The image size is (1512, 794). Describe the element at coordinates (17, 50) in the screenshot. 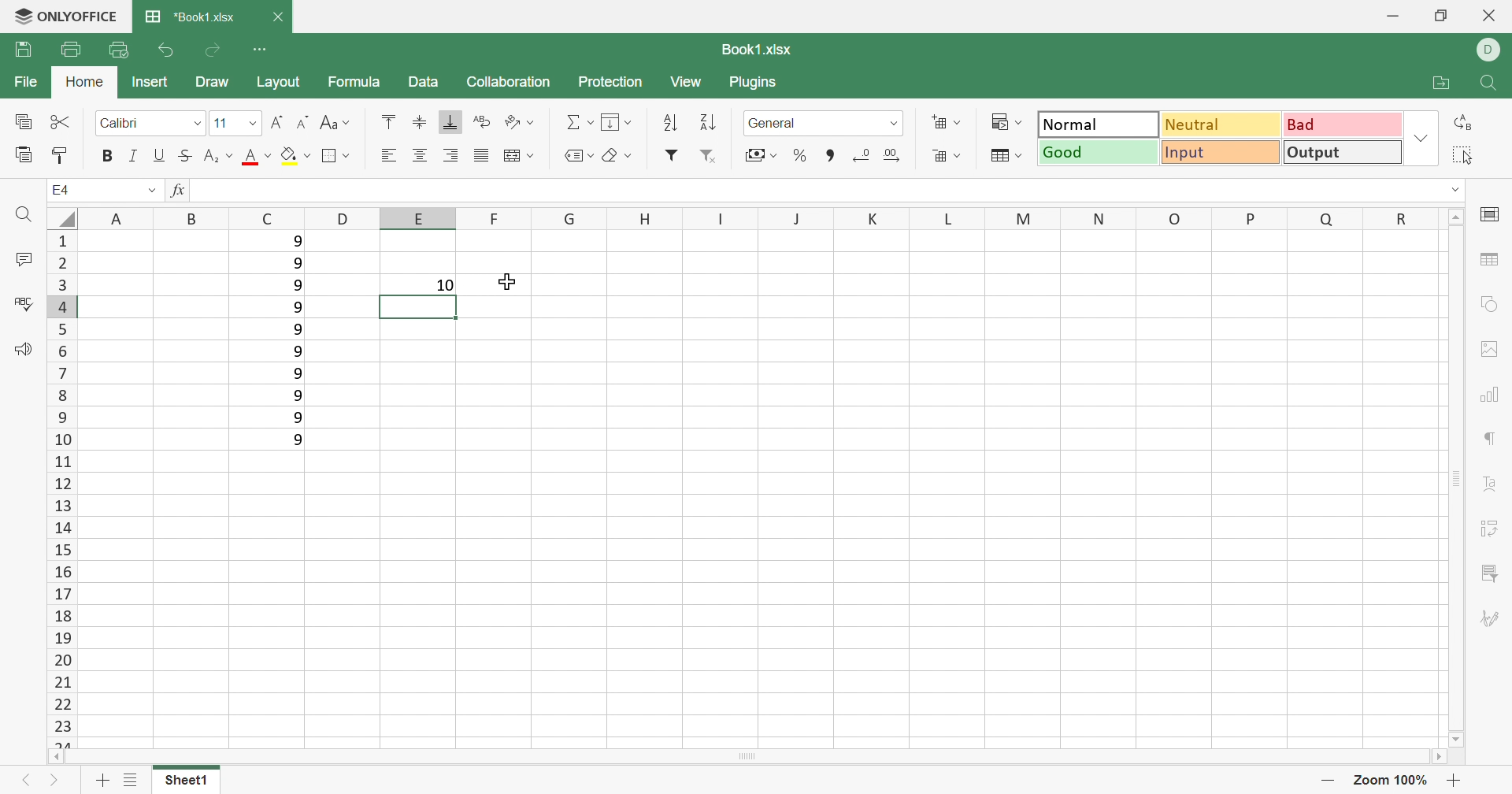

I see `Save` at that location.